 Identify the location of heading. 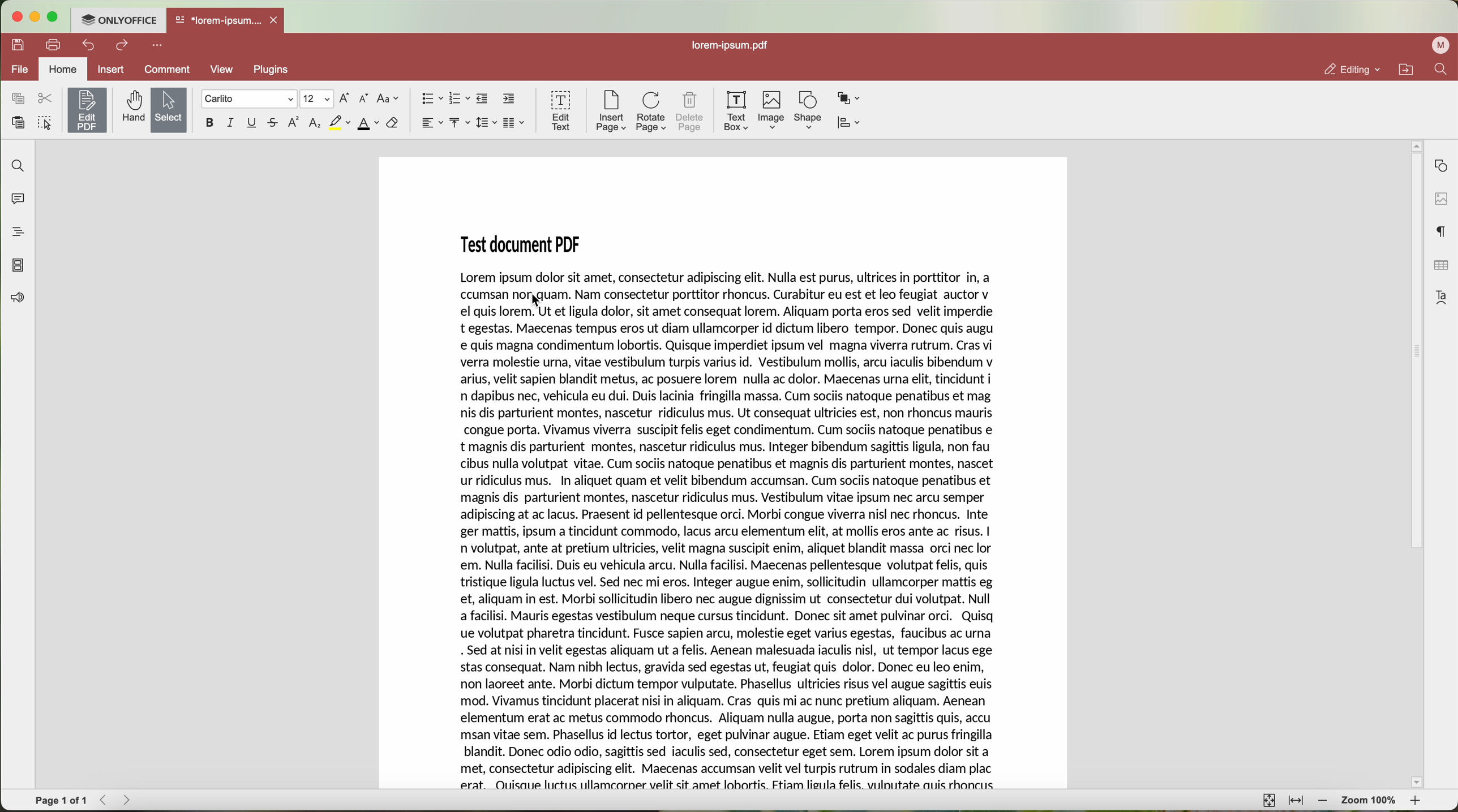
(17, 229).